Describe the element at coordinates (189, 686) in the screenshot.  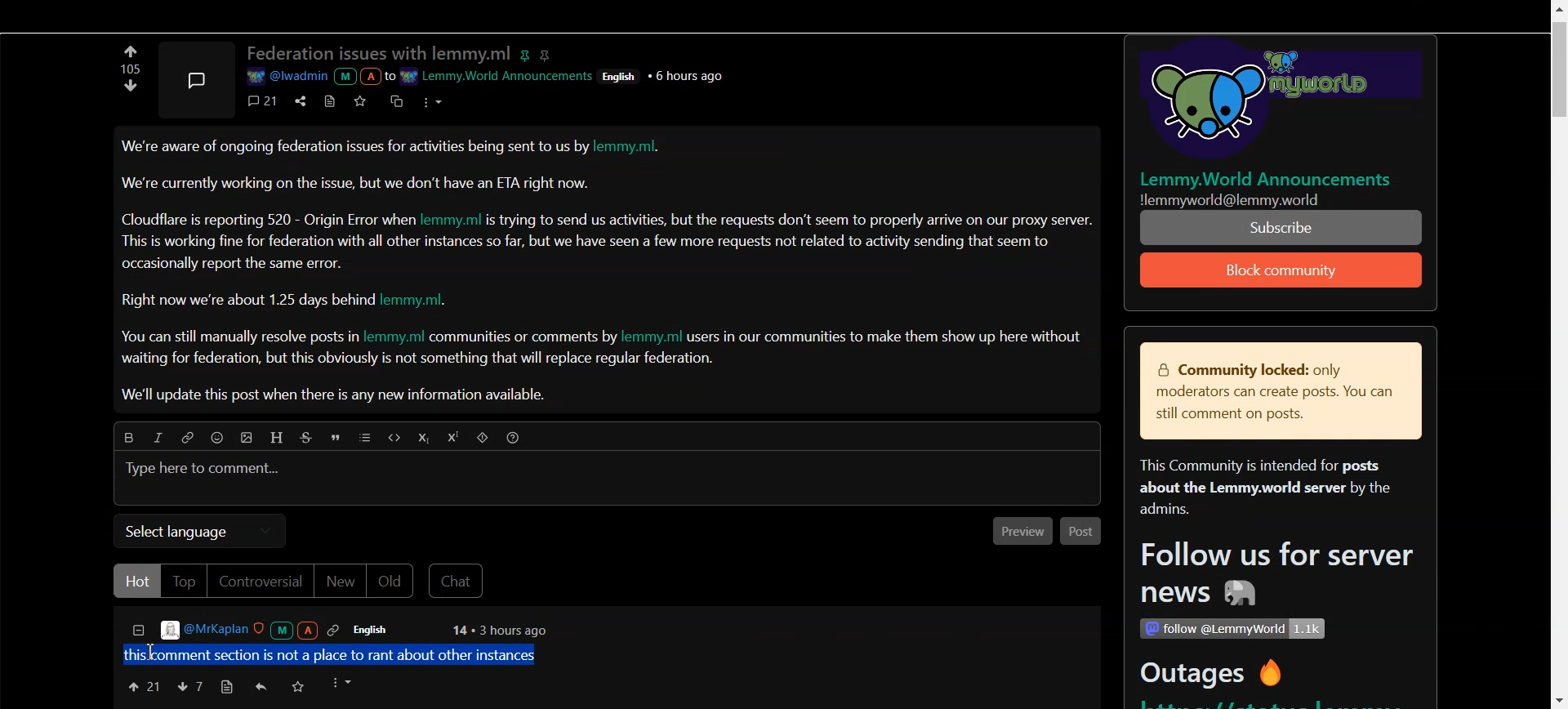
I see `Downvote` at that location.